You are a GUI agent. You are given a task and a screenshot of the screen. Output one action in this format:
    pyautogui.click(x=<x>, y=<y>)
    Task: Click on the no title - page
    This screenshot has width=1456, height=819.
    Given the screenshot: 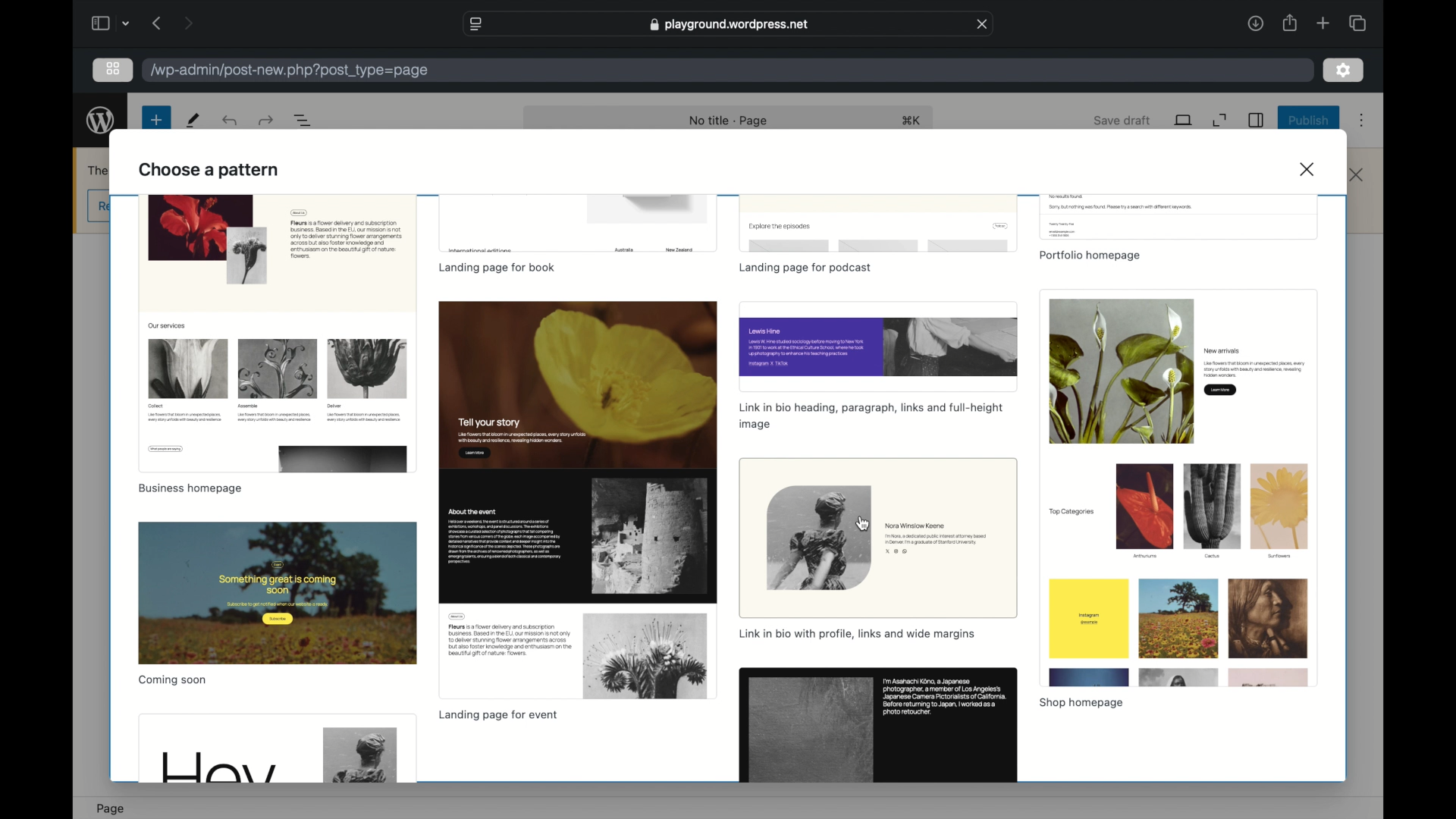 What is the action you would take?
    pyautogui.click(x=729, y=121)
    